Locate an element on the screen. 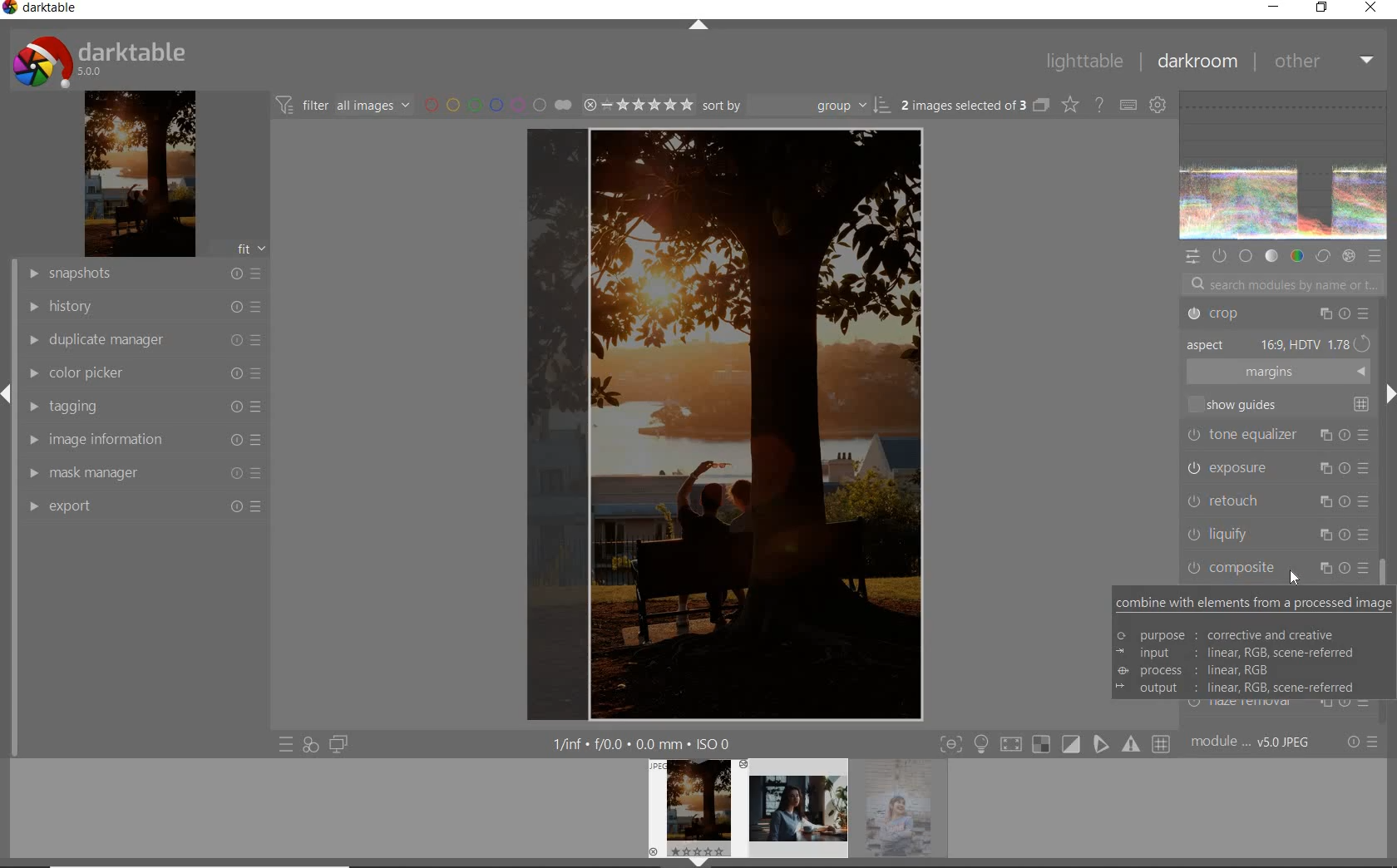  image preview is located at coordinates (797, 813).